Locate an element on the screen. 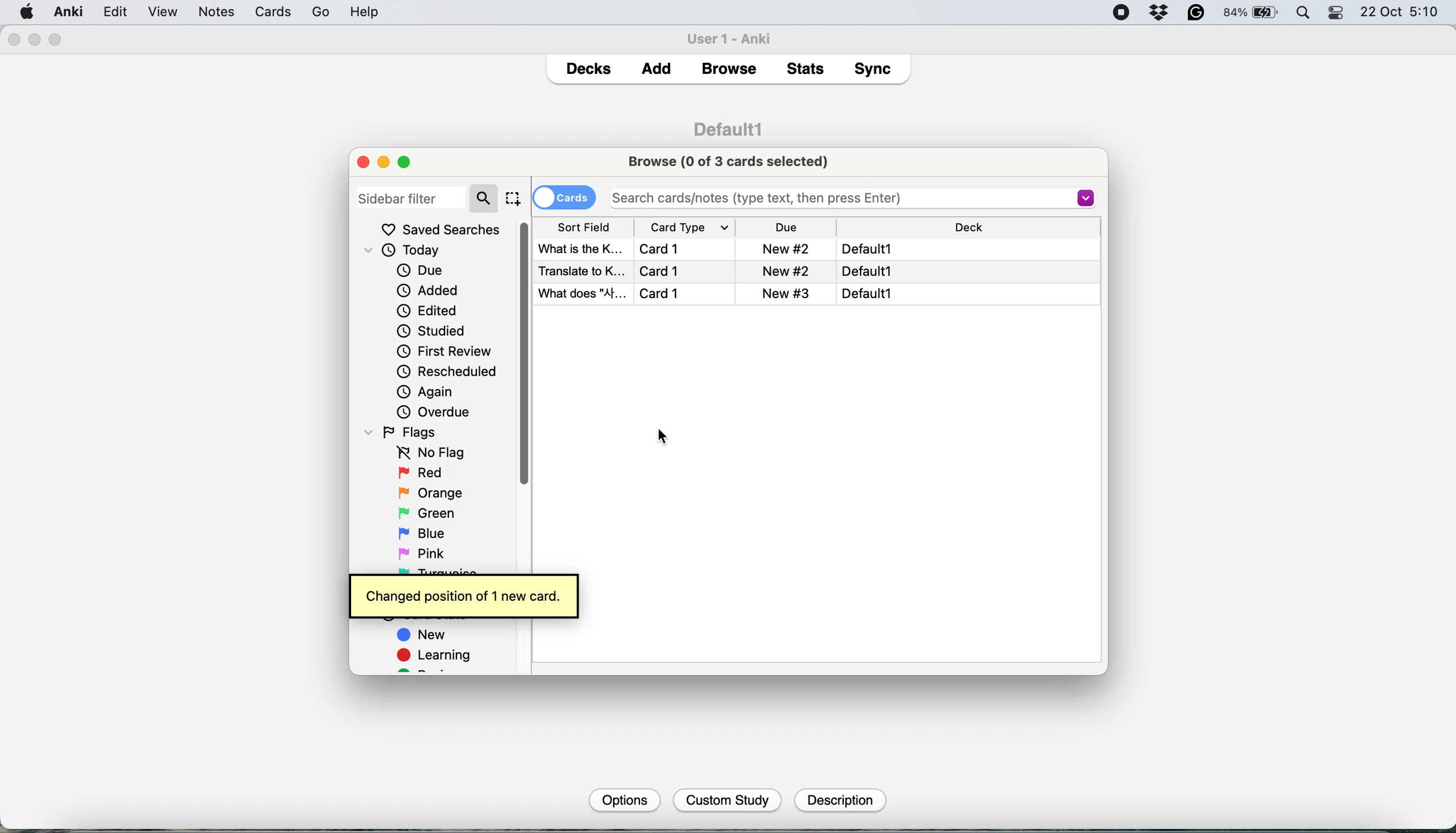 The height and width of the screenshot is (833, 1456). cards is located at coordinates (564, 196).